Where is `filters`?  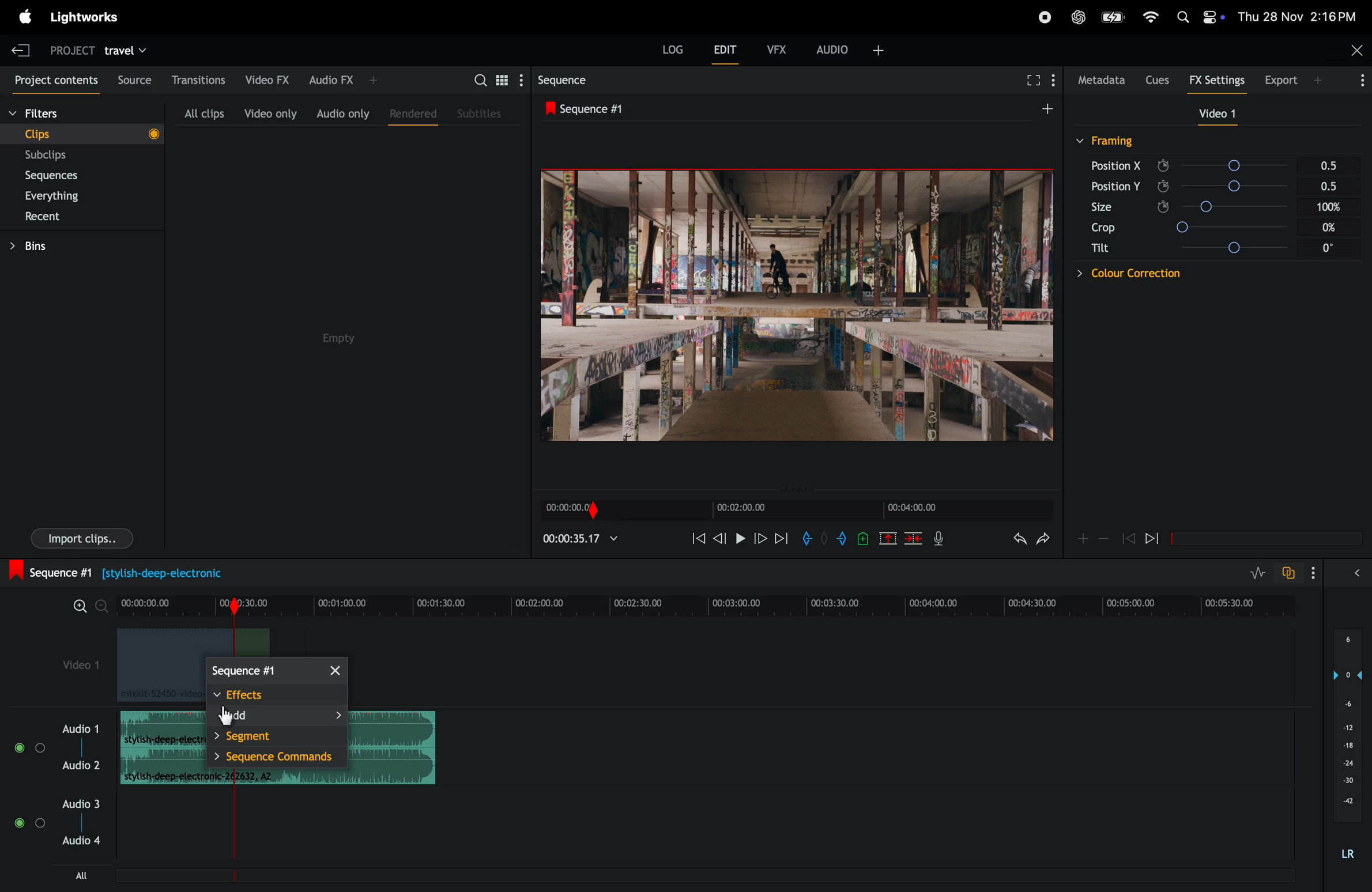
filters is located at coordinates (61, 114).